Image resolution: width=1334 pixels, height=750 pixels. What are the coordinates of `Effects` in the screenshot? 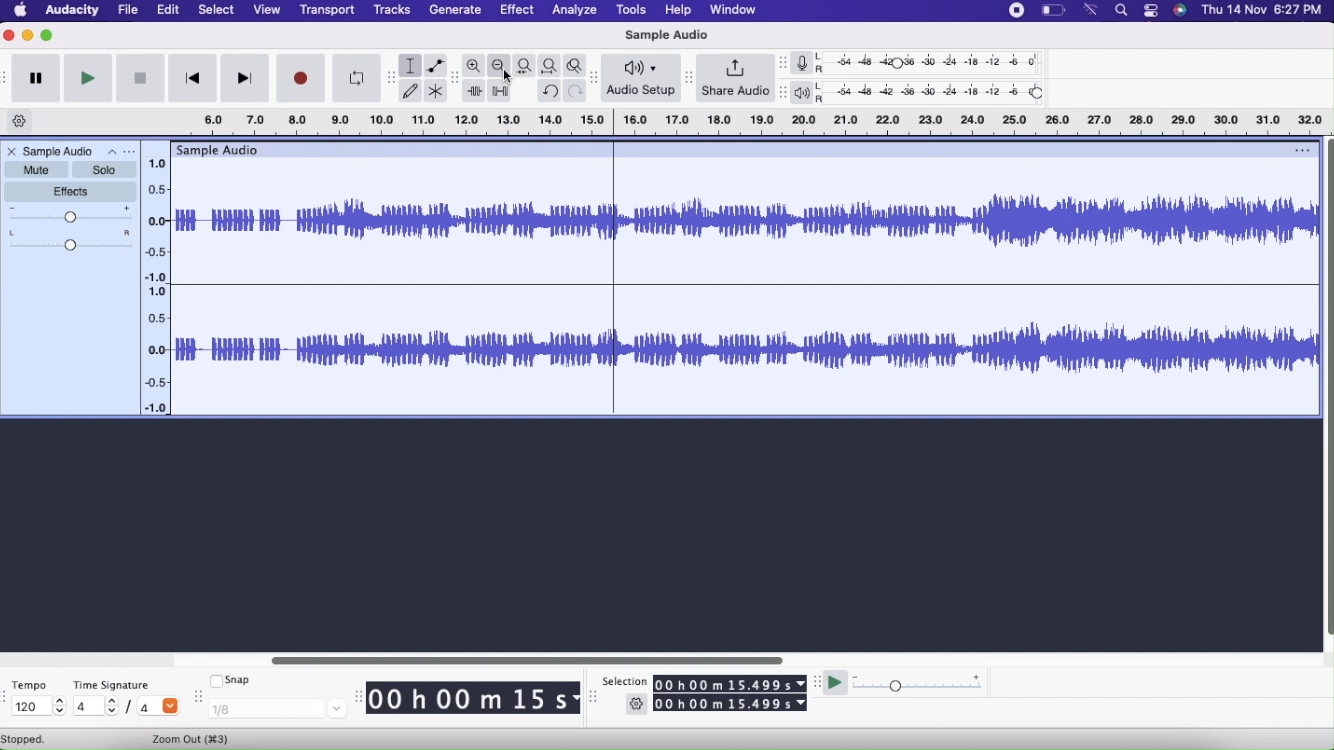 It's located at (72, 192).